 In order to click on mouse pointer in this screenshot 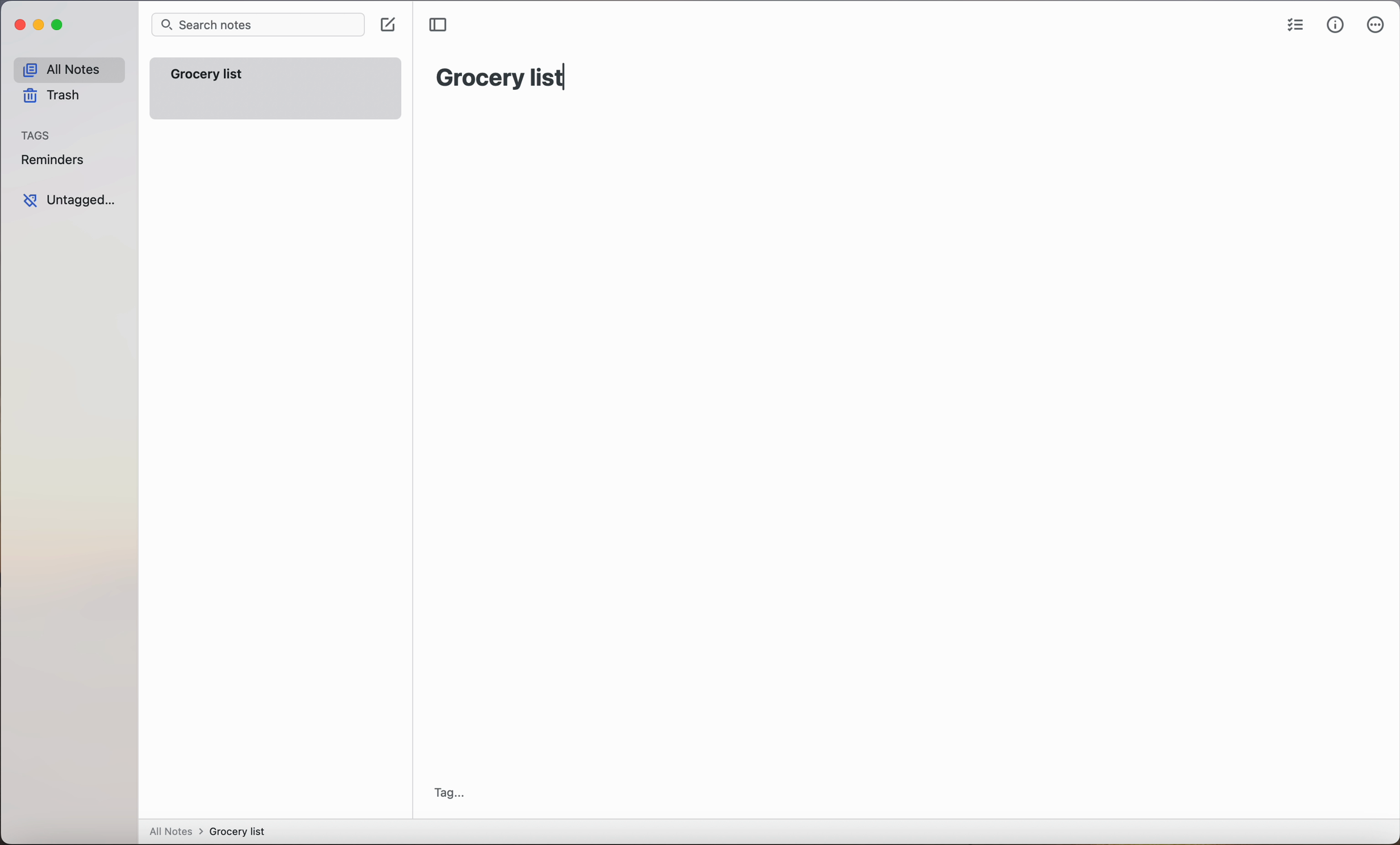, I will do `click(396, 28)`.